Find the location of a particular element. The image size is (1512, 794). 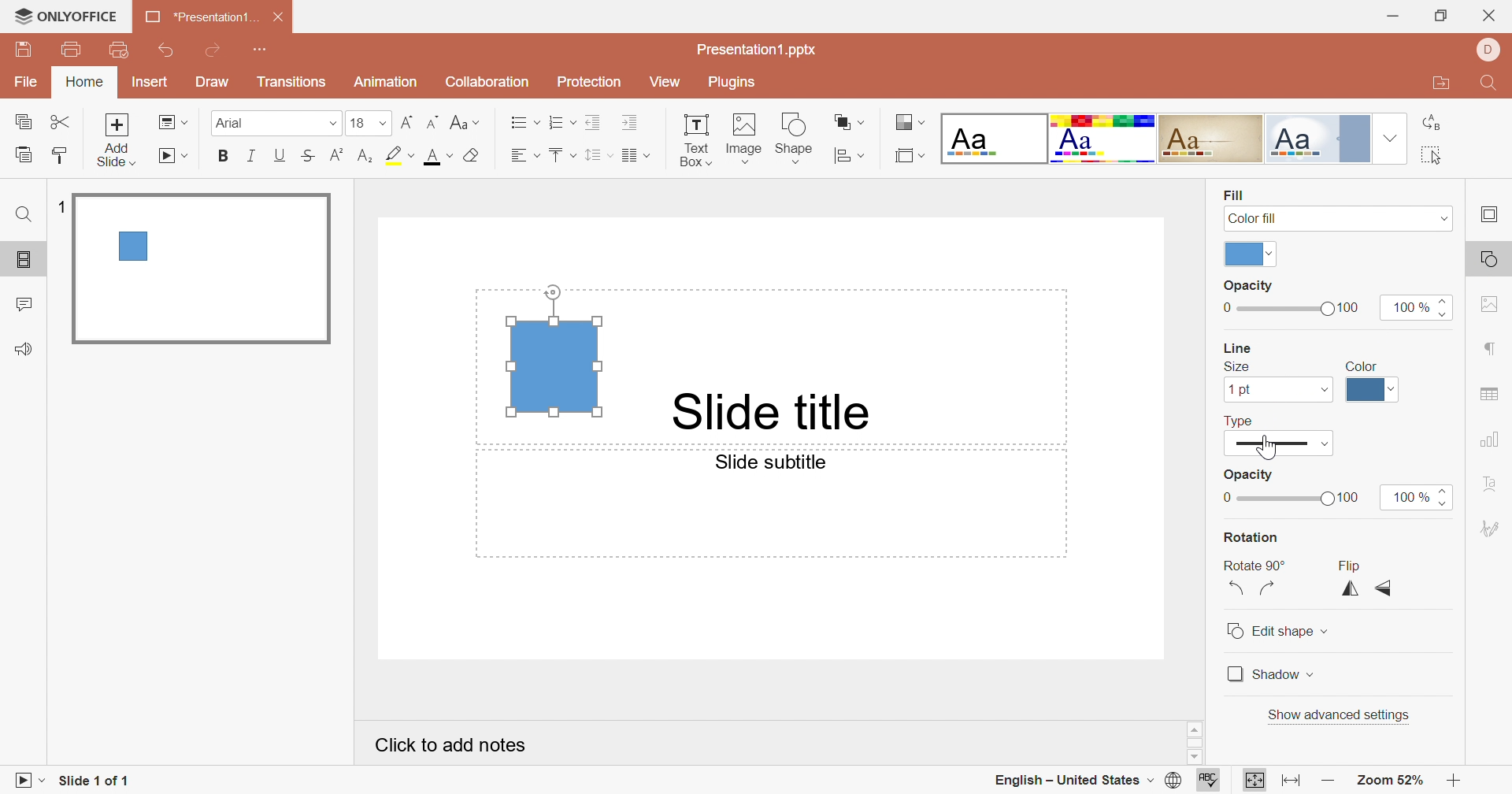

Chart settings is located at coordinates (1495, 437).